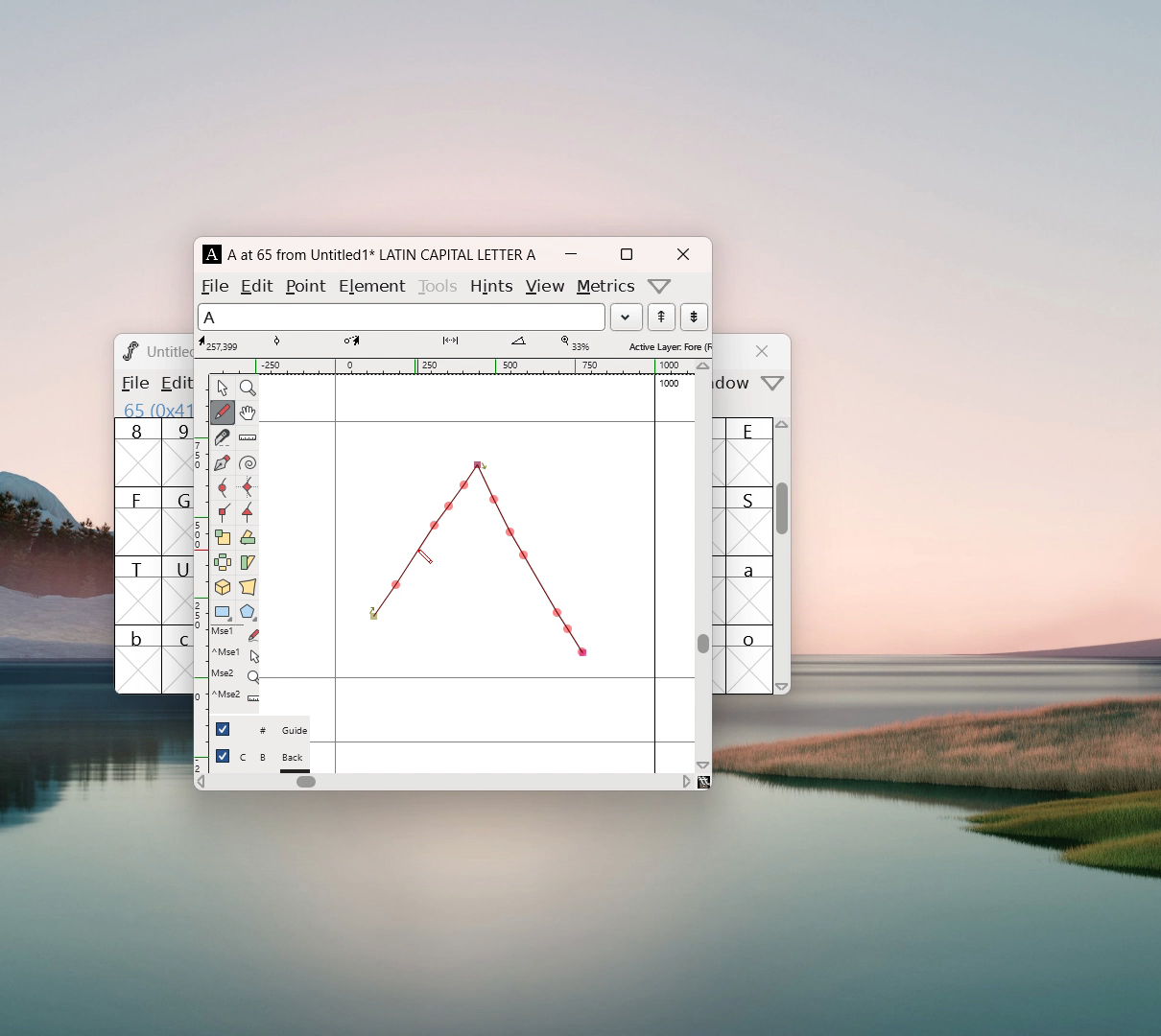  What do you see at coordinates (129, 350) in the screenshot?
I see `logo` at bounding box center [129, 350].